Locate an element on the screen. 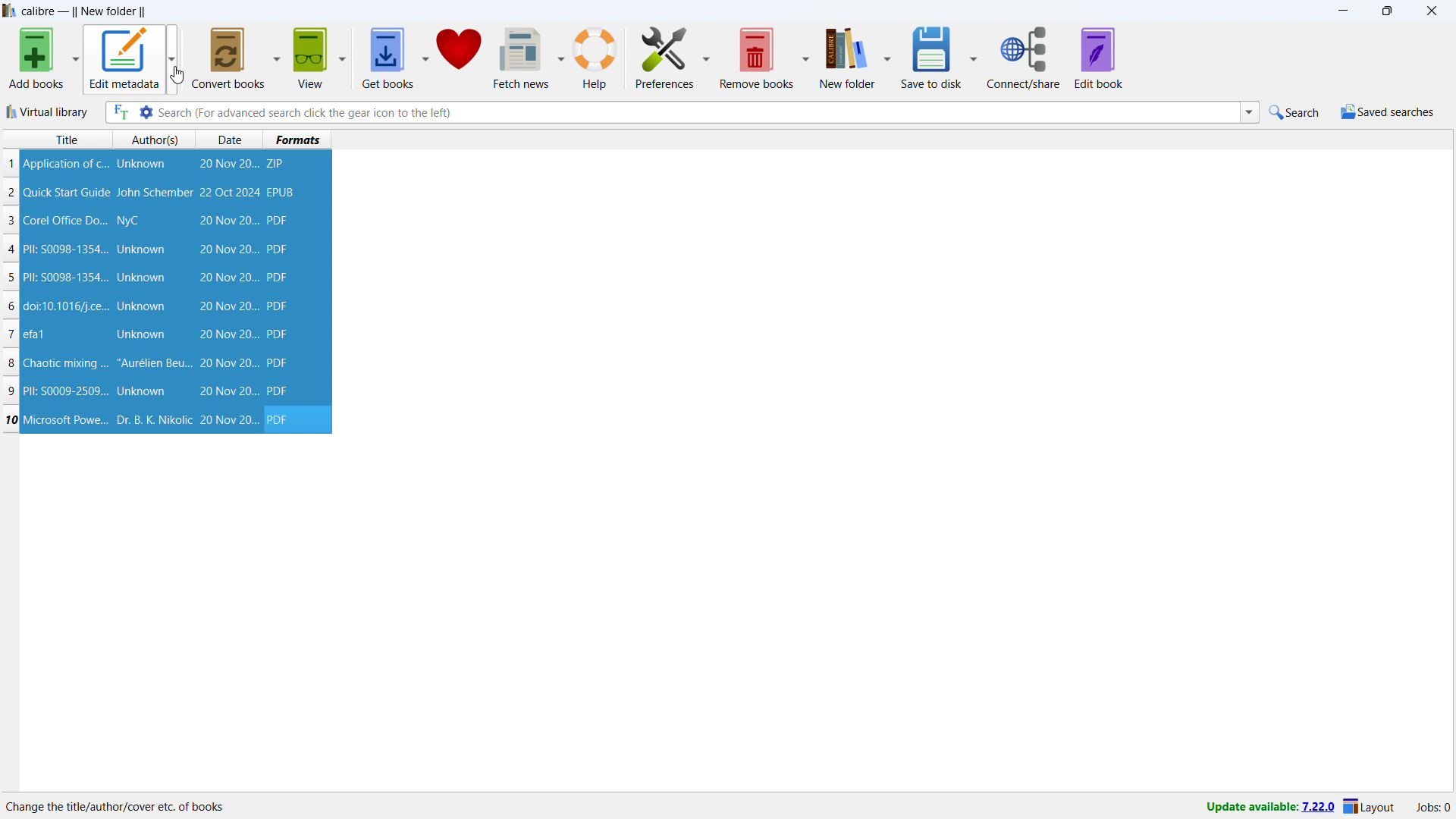 The height and width of the screenshot is (819, 1456). cursor is located at coordinates (177, 76).